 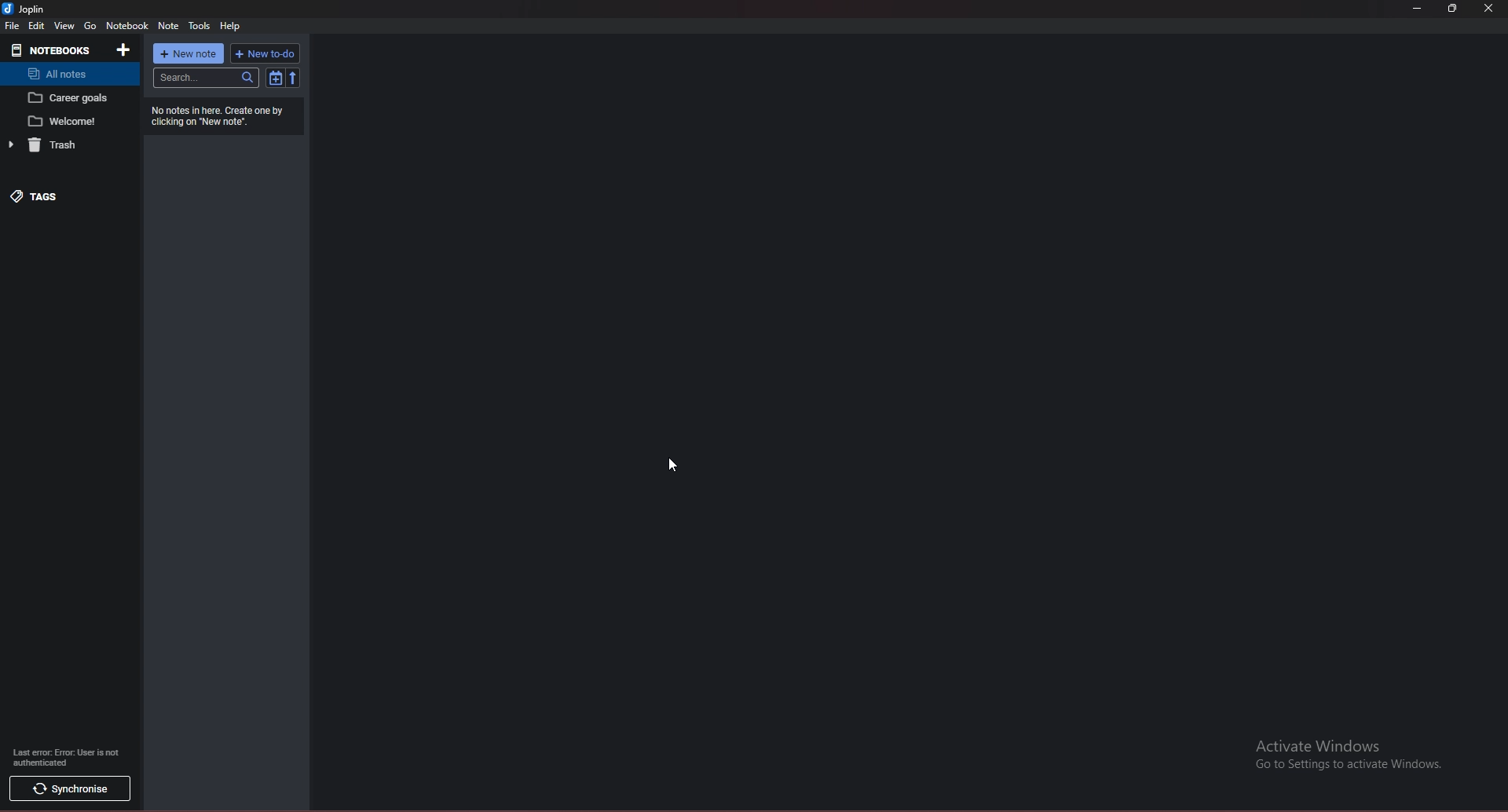 I want to click on help, so click(x=231, y=25).